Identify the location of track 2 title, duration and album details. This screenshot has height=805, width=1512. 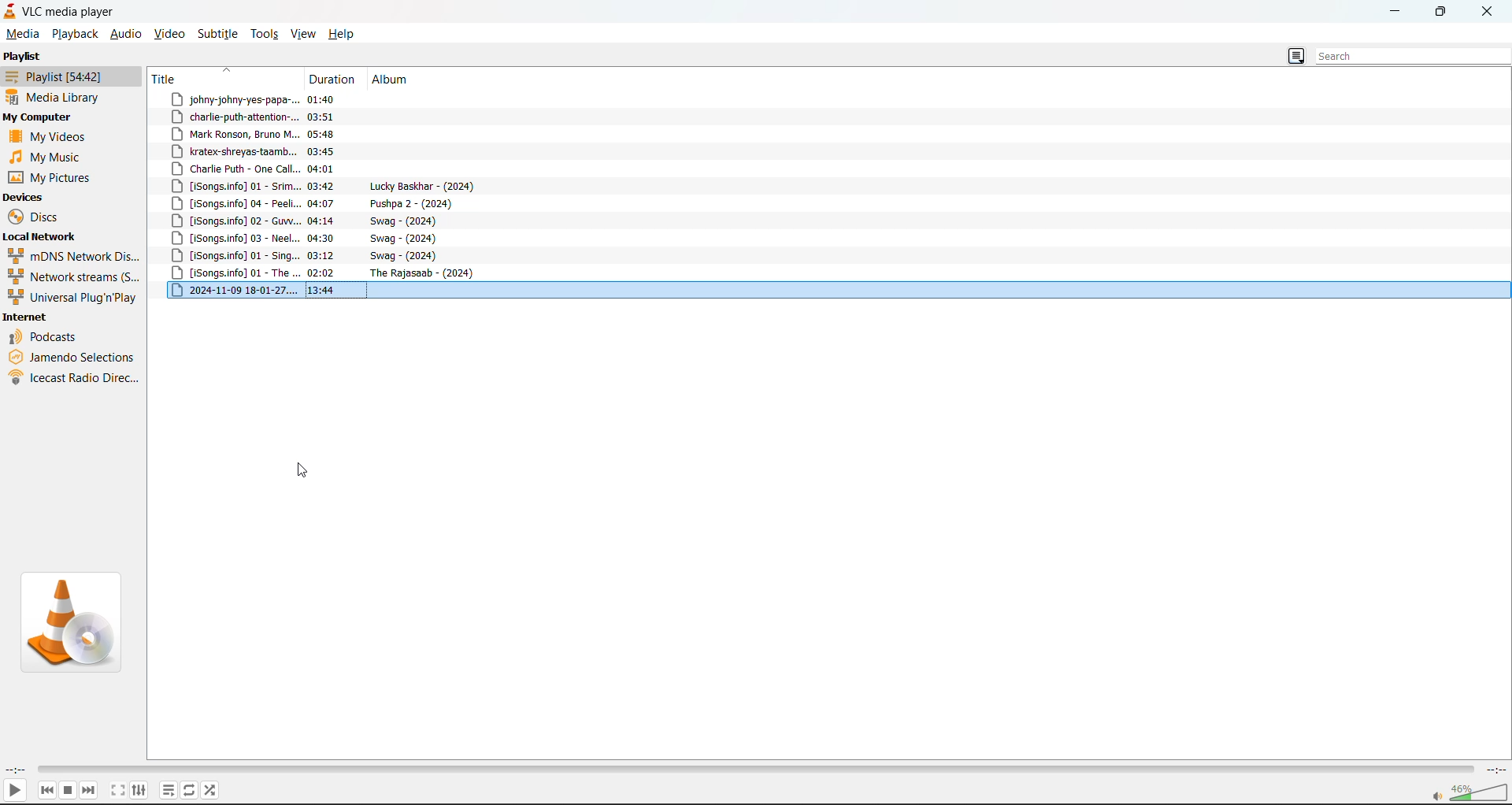
(291, 115).